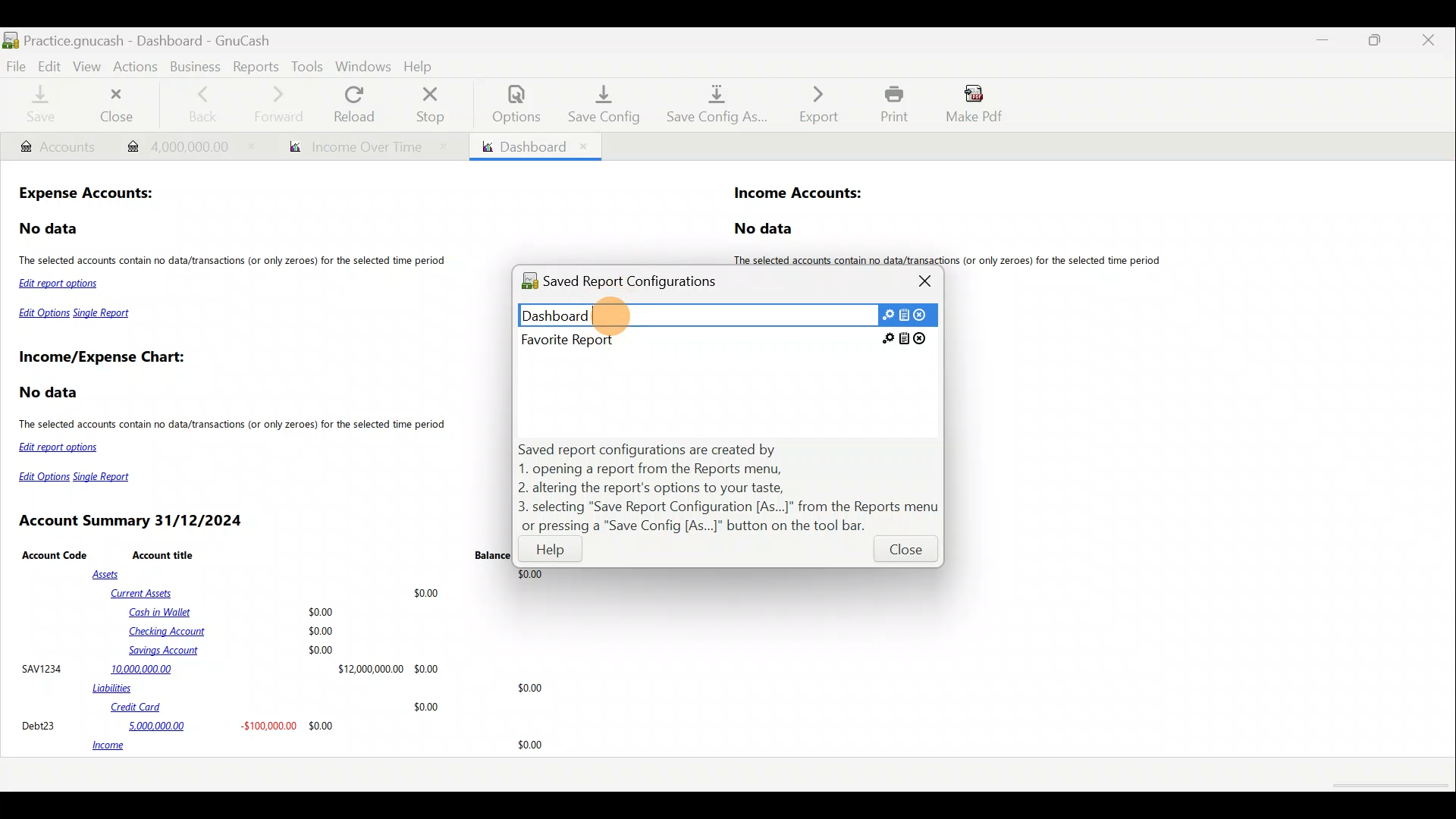  Describe the element at coordinates (40, 106) in the screenshot. I see `Save` at that location.